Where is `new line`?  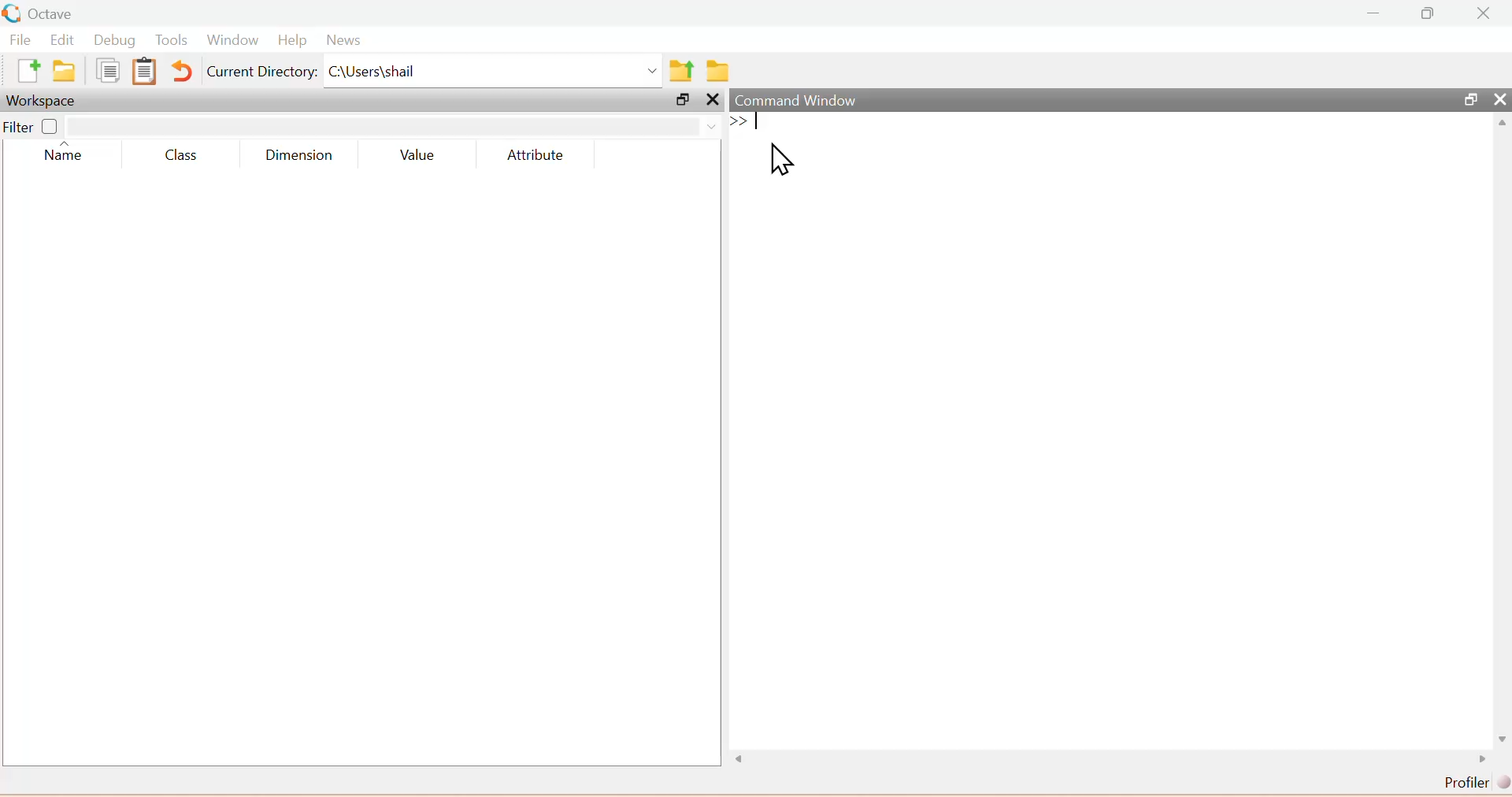 new line is located at coordinates (739, 120).